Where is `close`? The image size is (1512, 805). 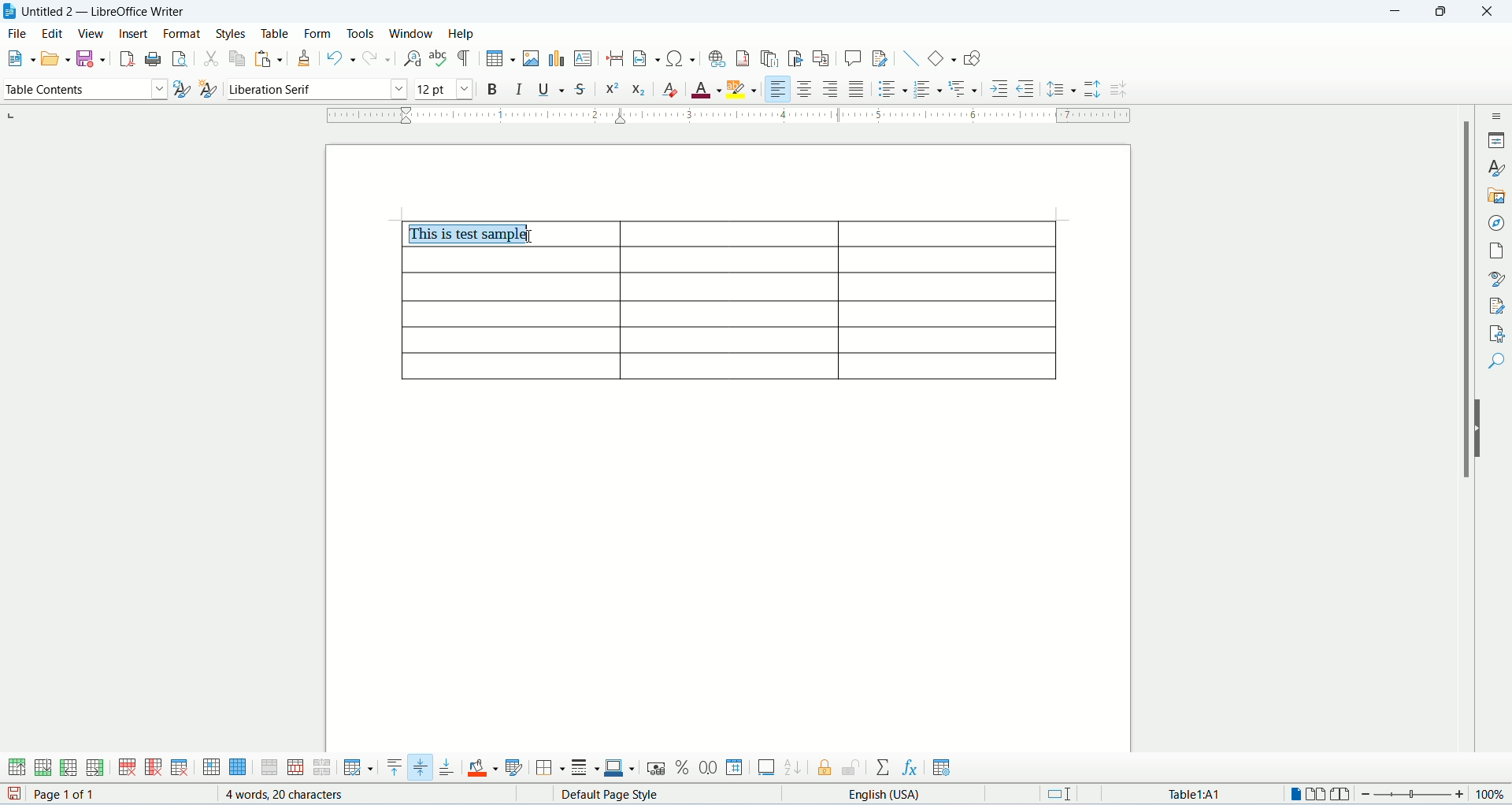 close is located at coordinates (1485, 12).